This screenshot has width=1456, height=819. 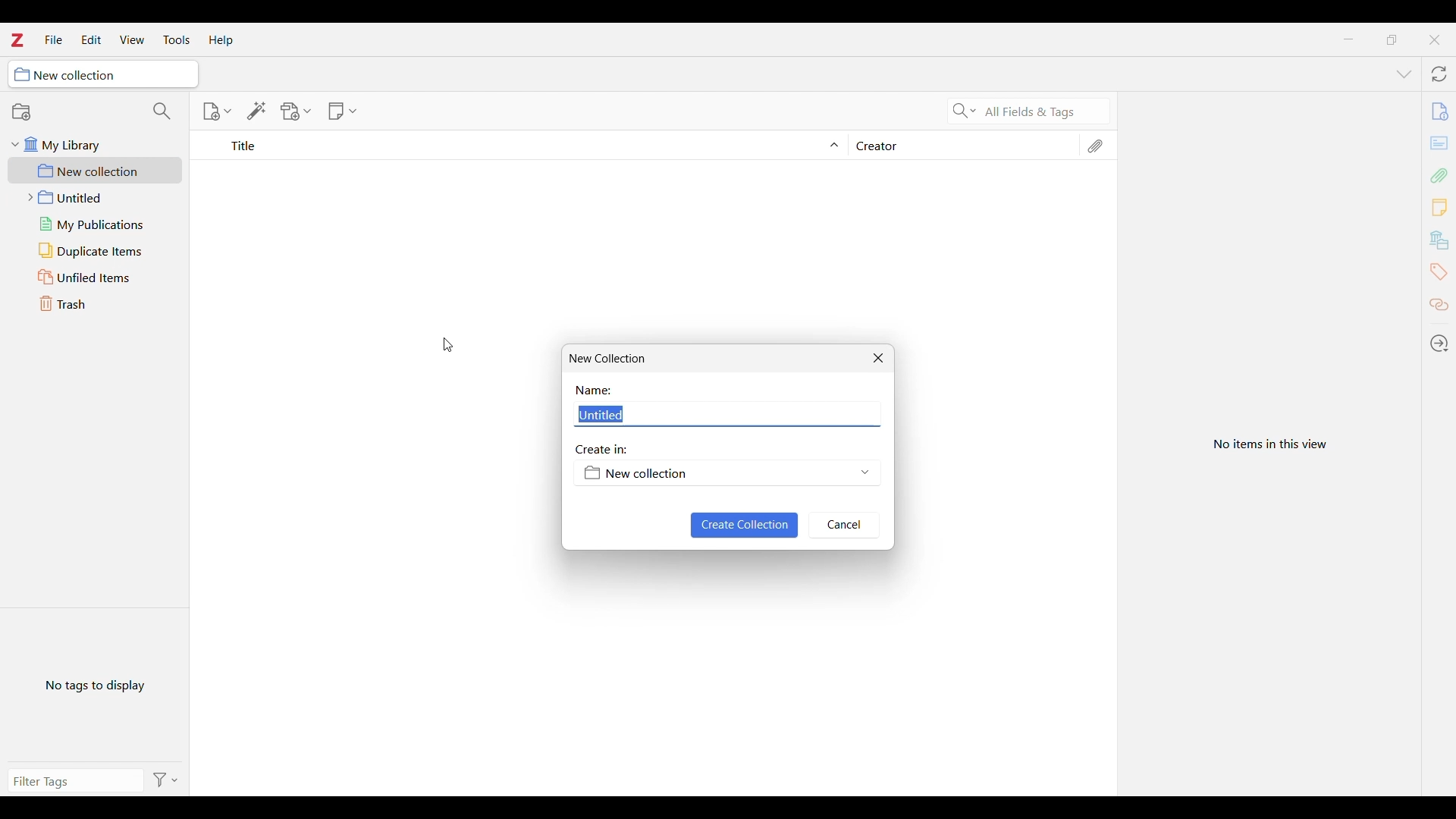 I want to click on Selected search criteria, so click(x=1044, y=111).